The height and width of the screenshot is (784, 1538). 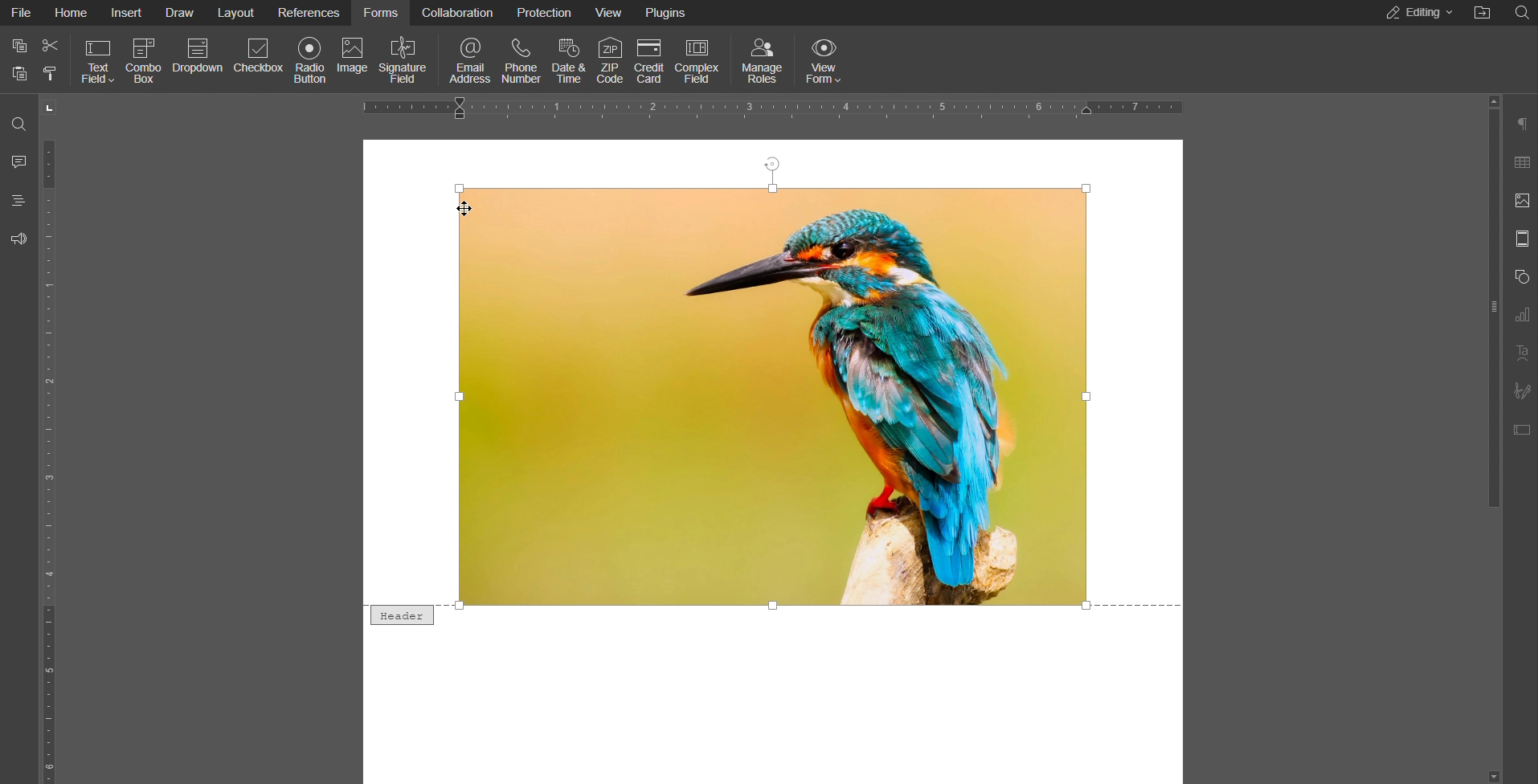 What do you see at coordinates (308, 59) in the screenshot?
I see `Radio Button` at bounding box center [308, 59].